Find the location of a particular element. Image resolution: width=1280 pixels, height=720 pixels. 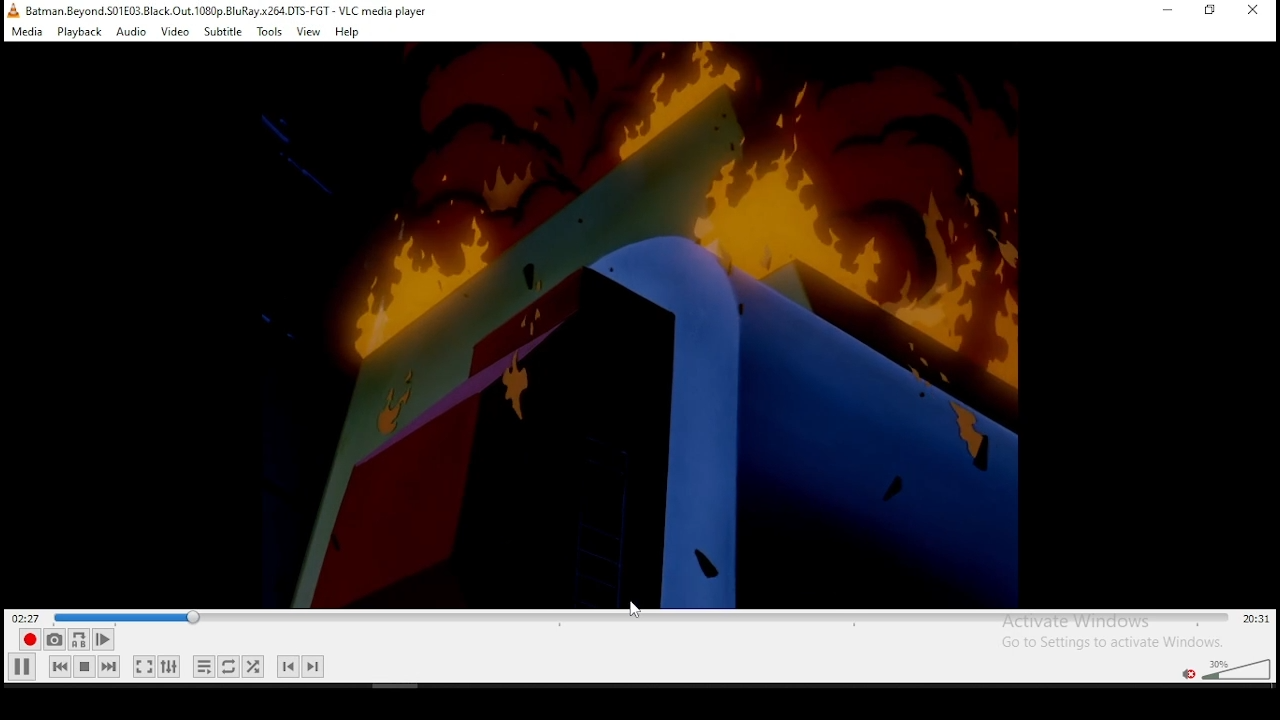

previous track in playlist. Skips backward when held is located at coordinates (59, 665).